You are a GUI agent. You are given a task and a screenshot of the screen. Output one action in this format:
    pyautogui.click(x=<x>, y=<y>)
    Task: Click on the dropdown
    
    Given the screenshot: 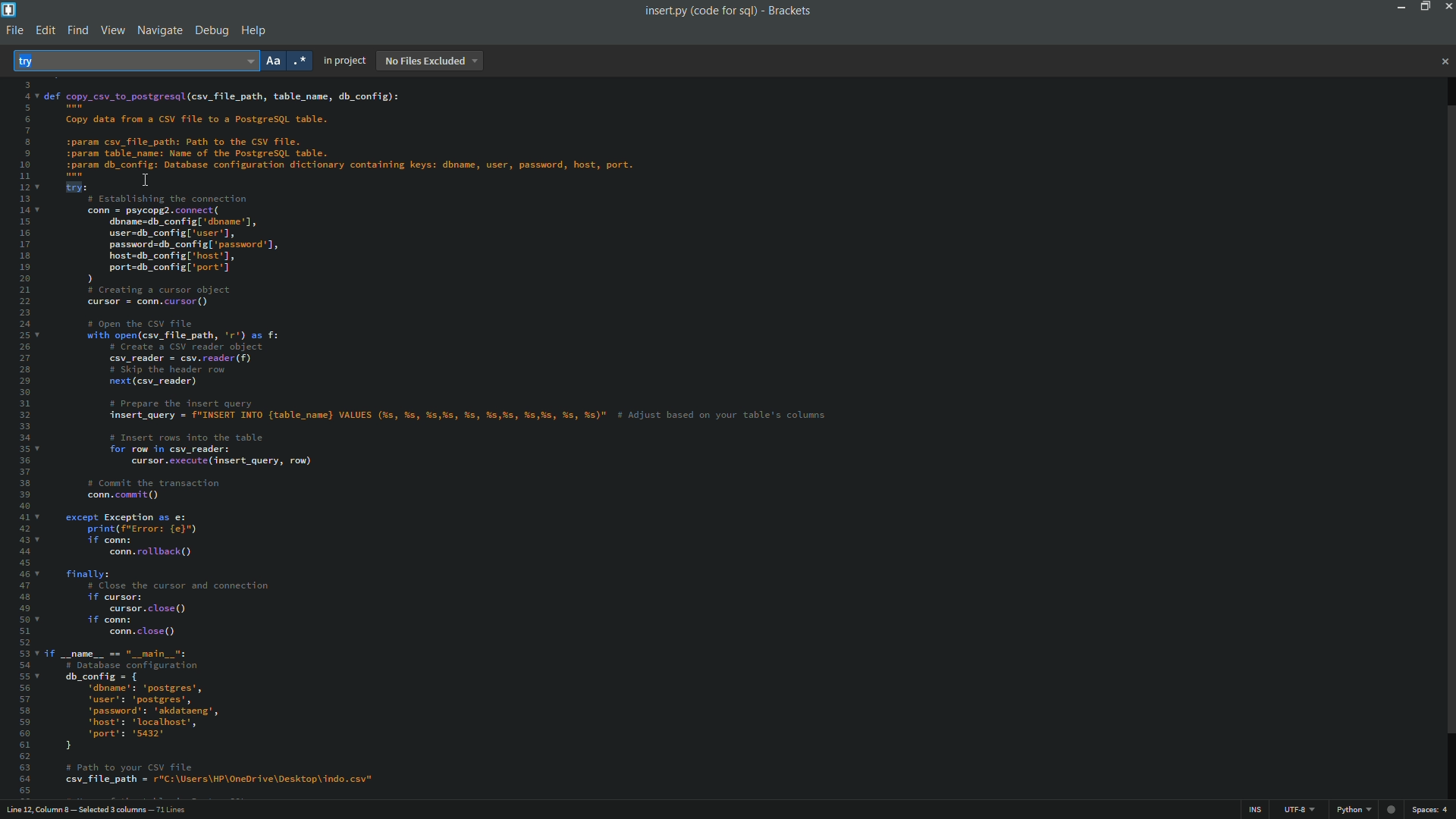 What is the action you would take?
    pyautogui.click(x=248, y=60)
    